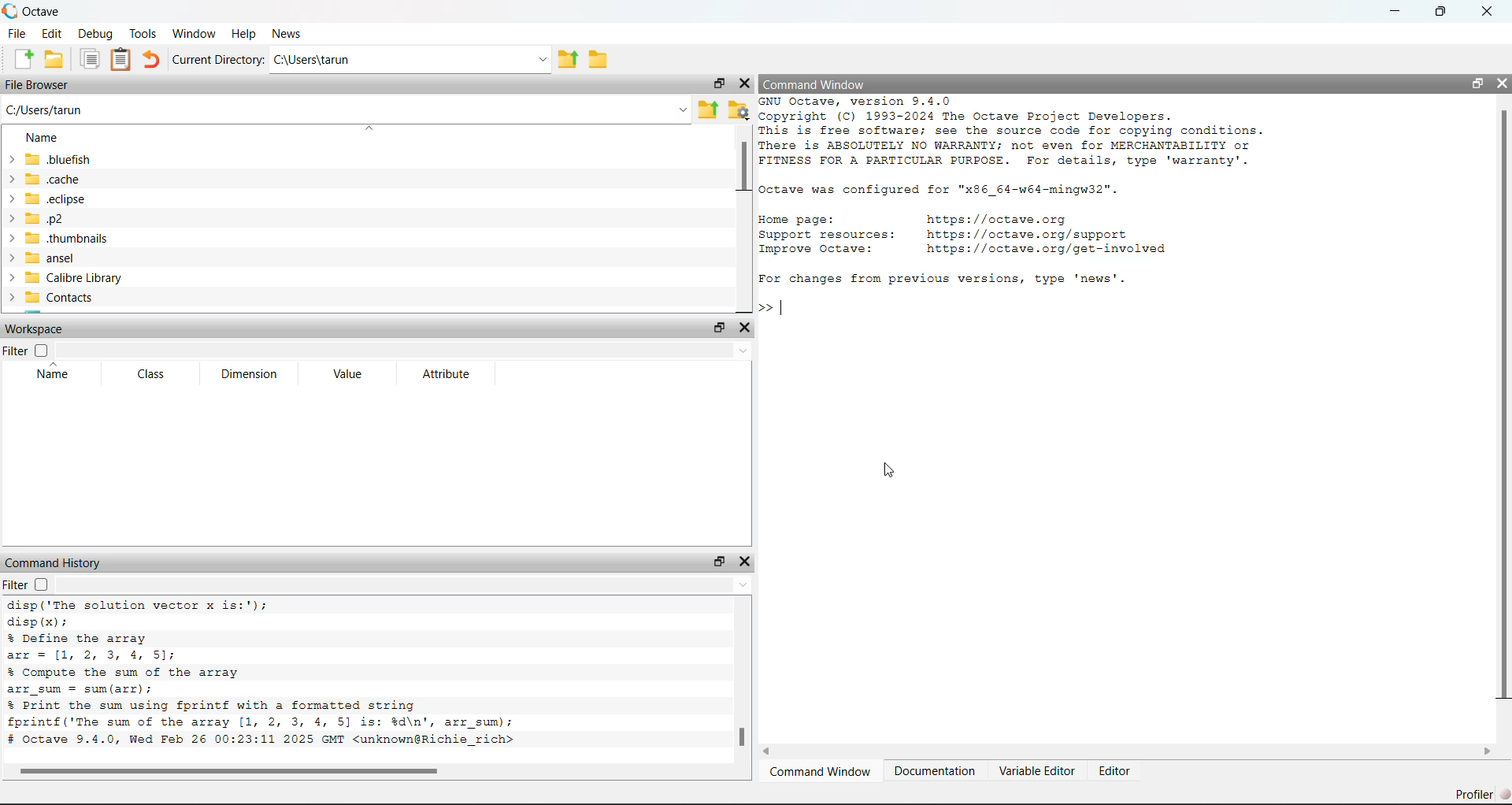 Image resolution: width=1512 pixels, height=805 pixels. I want to click on cache, so click(50, 179).